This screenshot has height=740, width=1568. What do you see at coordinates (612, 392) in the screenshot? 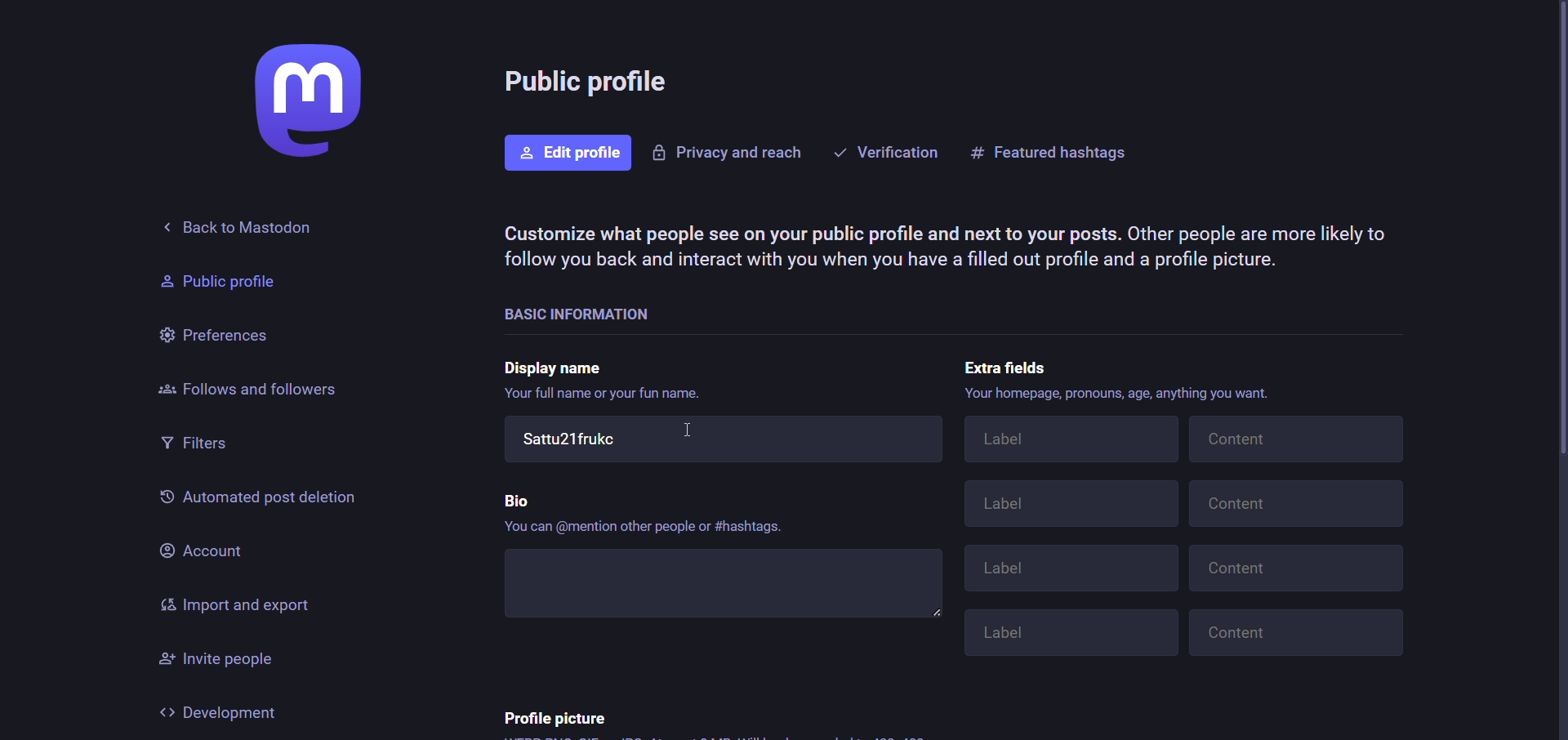
I see `Your full name or your fun name.` at bounding box center [612, 392].